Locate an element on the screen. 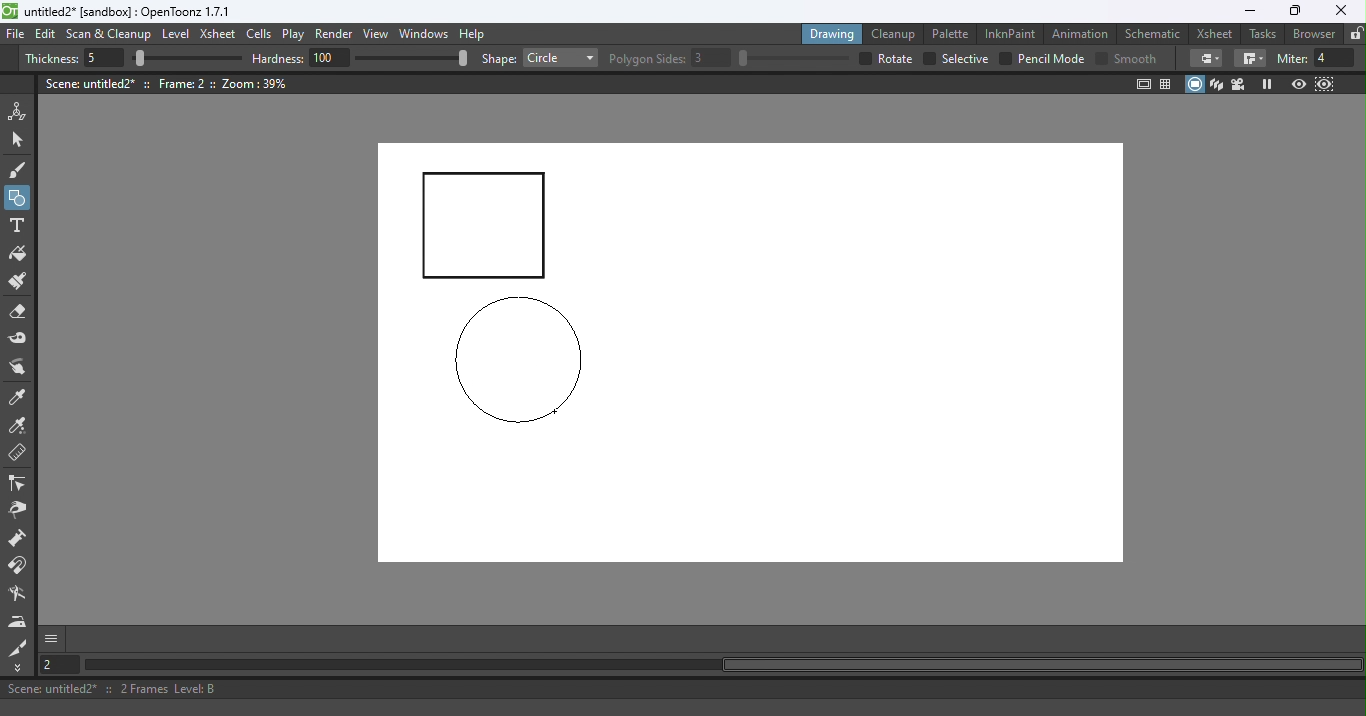 This screenshot has width=1366, height=716. Fill tool is located at coordinates (18, 256).